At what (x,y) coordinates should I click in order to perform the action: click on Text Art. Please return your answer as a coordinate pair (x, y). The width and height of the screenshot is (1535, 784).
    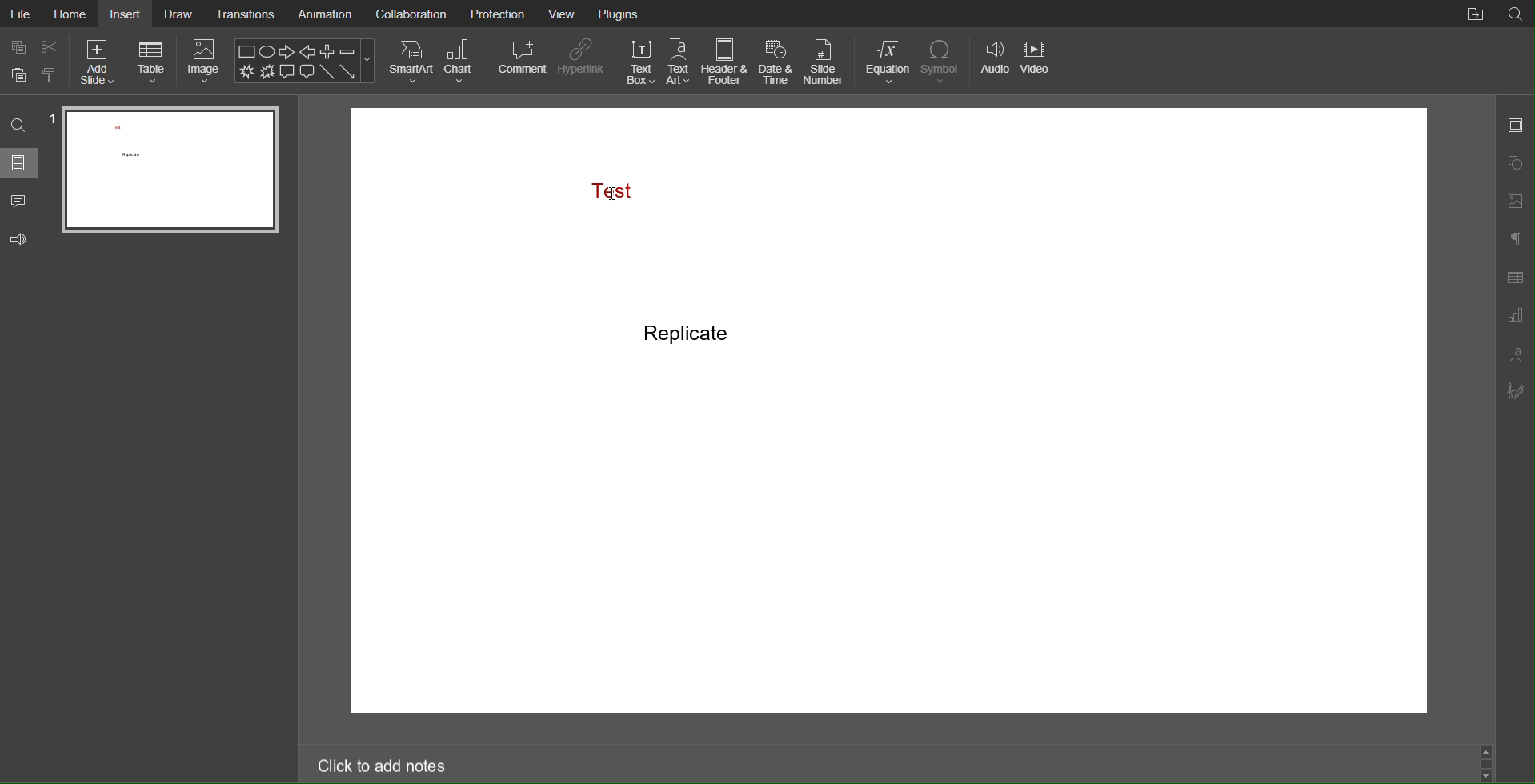
    Looking at the image, I should click on (1513, 354).